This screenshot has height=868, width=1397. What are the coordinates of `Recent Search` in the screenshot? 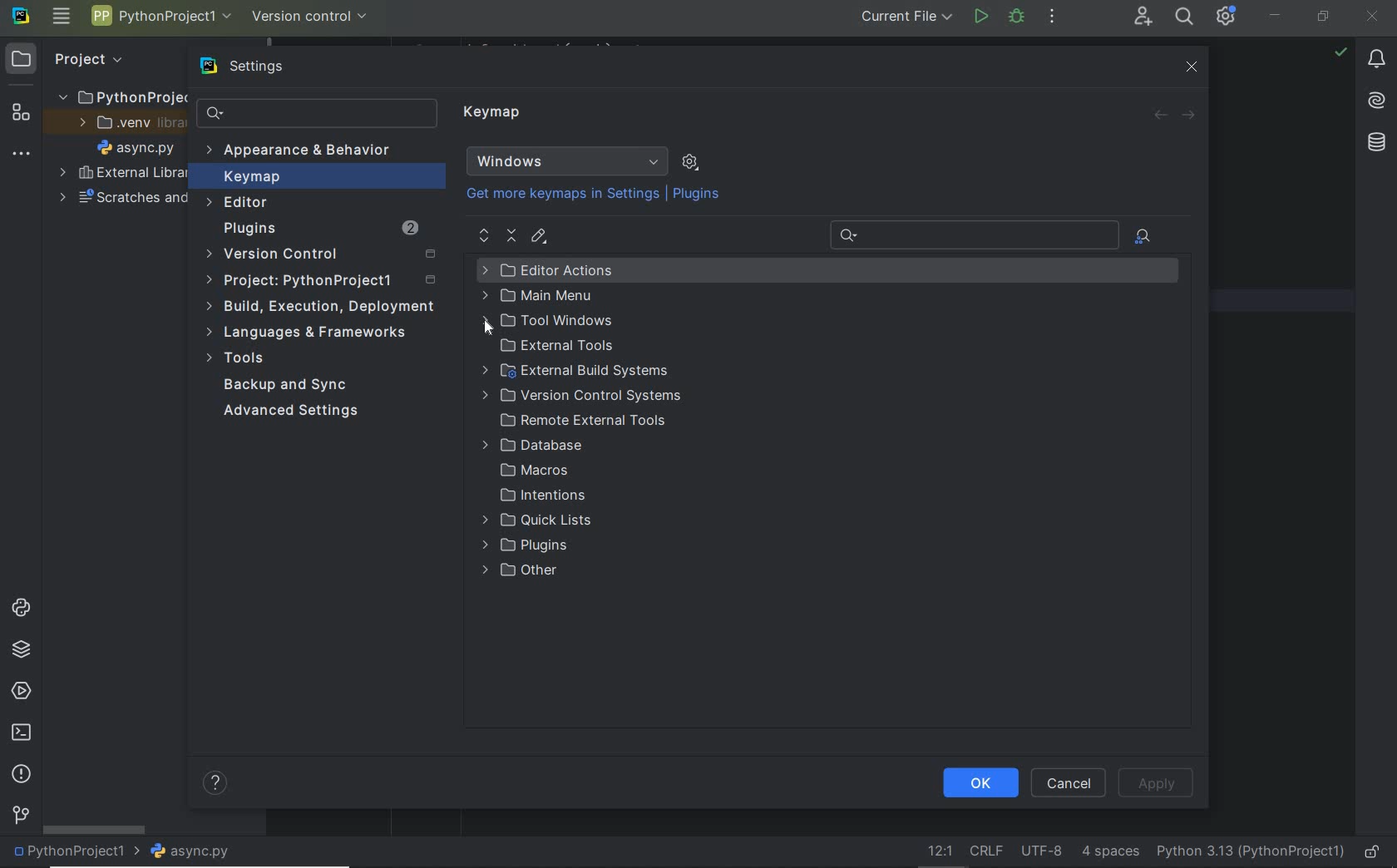 It's located at (971, 233).